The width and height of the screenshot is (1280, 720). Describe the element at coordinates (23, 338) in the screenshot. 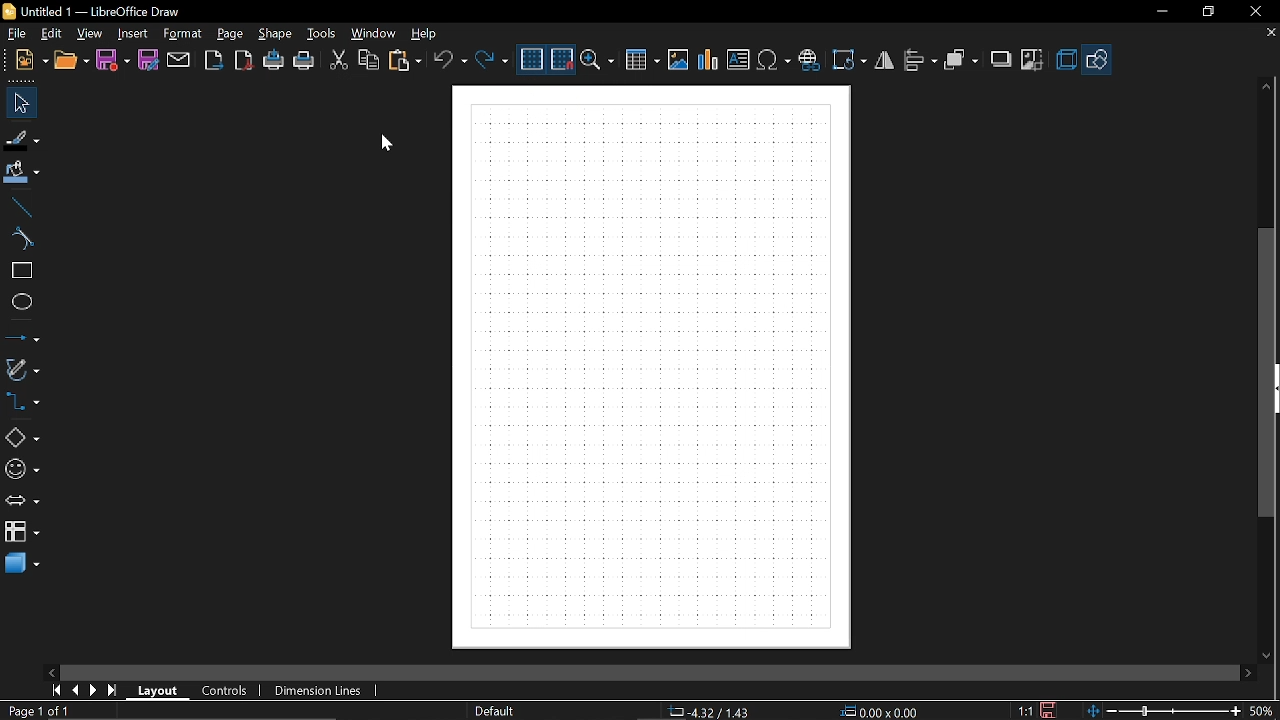

I see `lines and arrows` at that location.